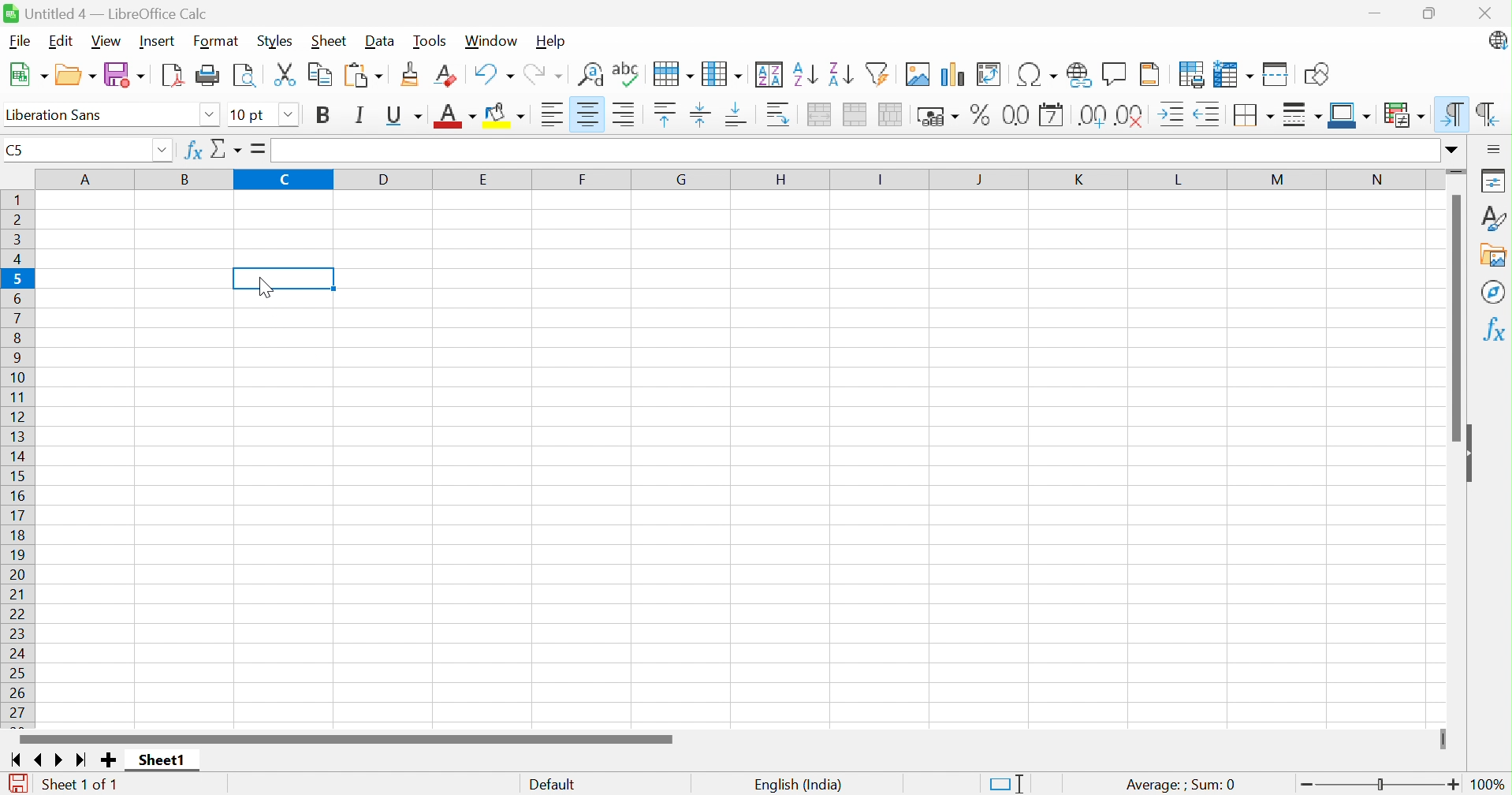 This screenshot has height=795, width=1512. Describe the element at coordinates (412, 74) in the screenshot. I see `Clone Formatting` at that location.